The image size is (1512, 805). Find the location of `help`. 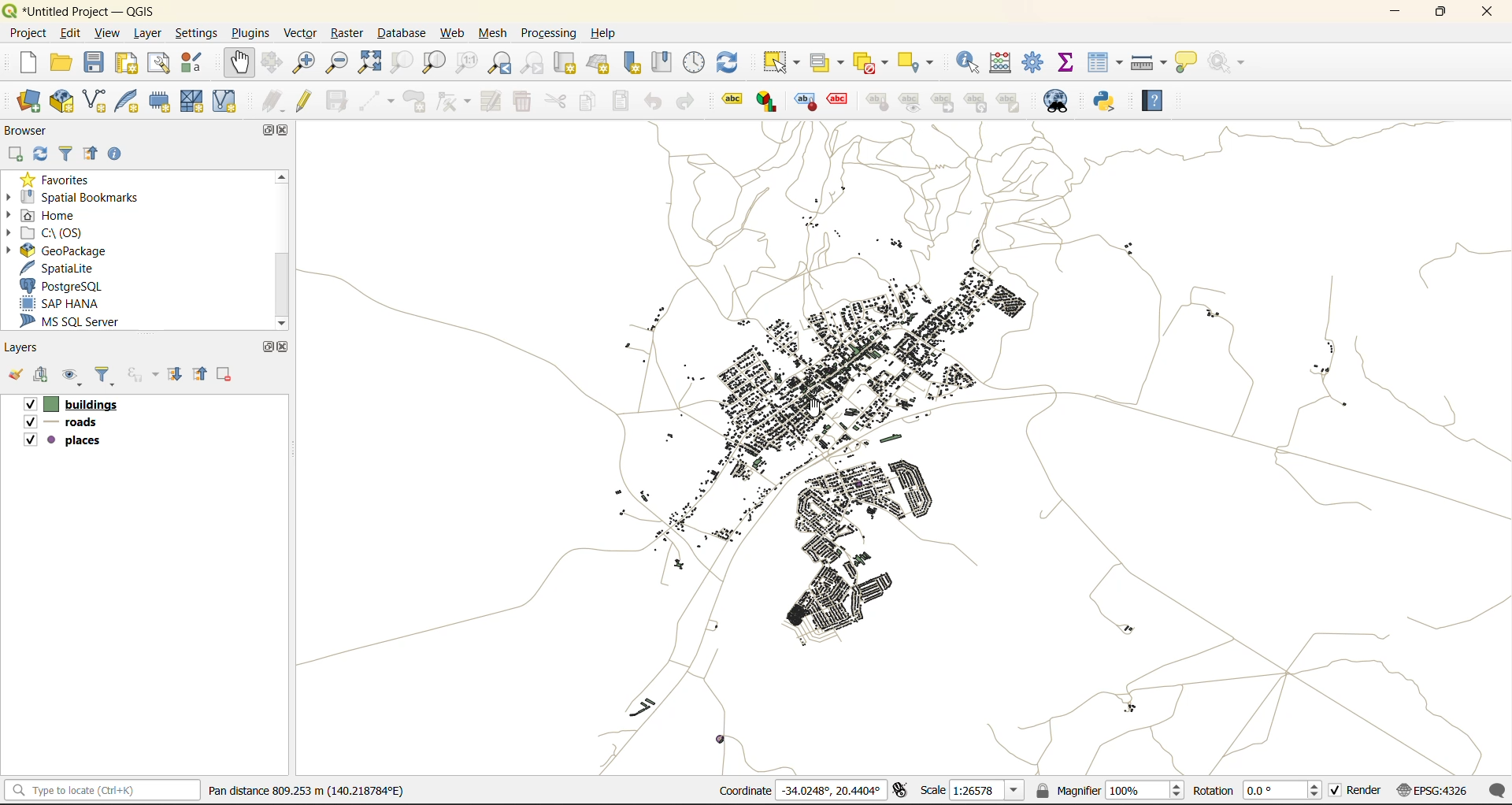

help is located at coordinates (1161, 101).